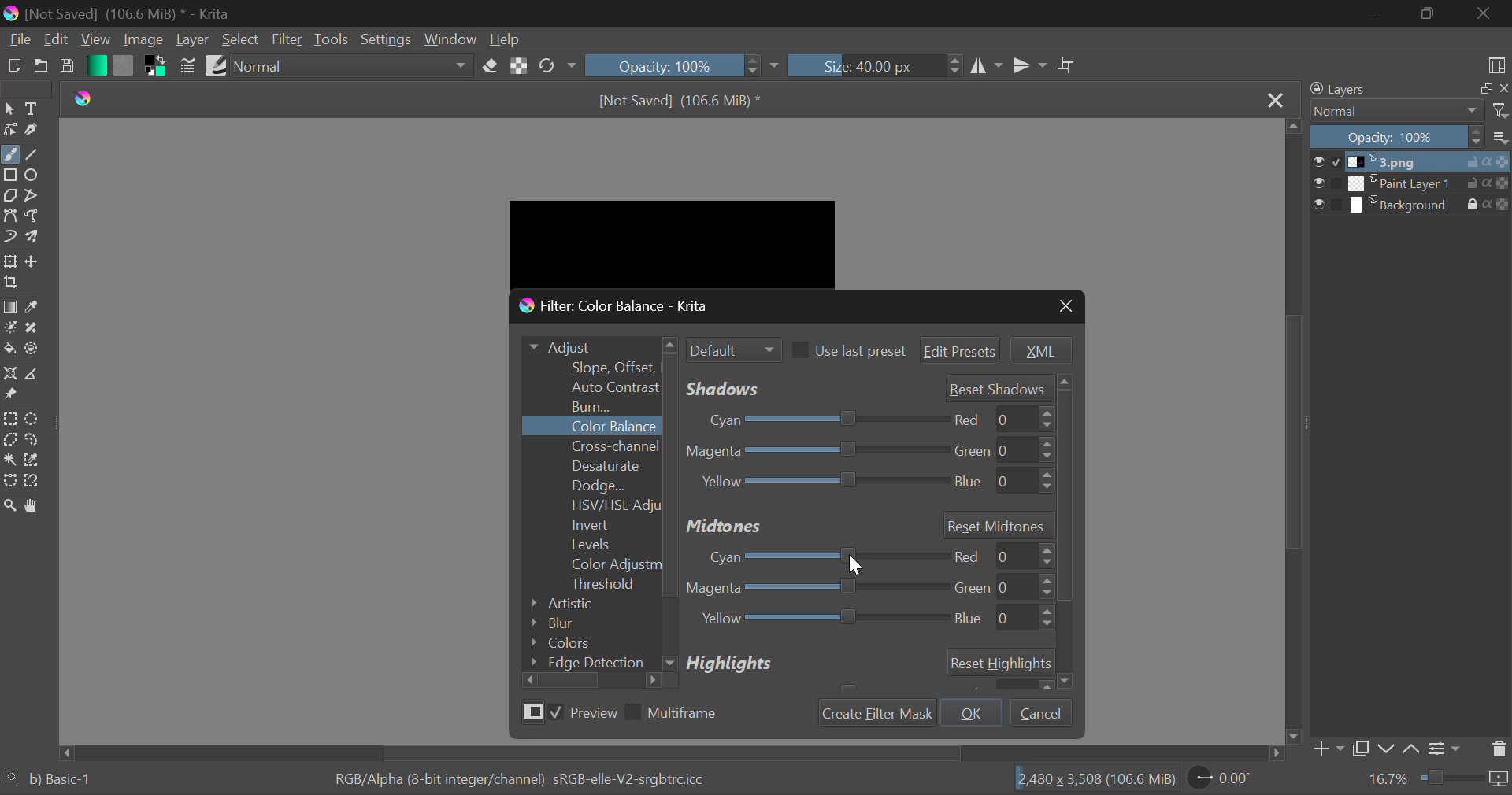 This screenshot has width=1512, height=795. Describe the element at coordinates (1276, 98) in the screenshot. I see `Close` at that location.